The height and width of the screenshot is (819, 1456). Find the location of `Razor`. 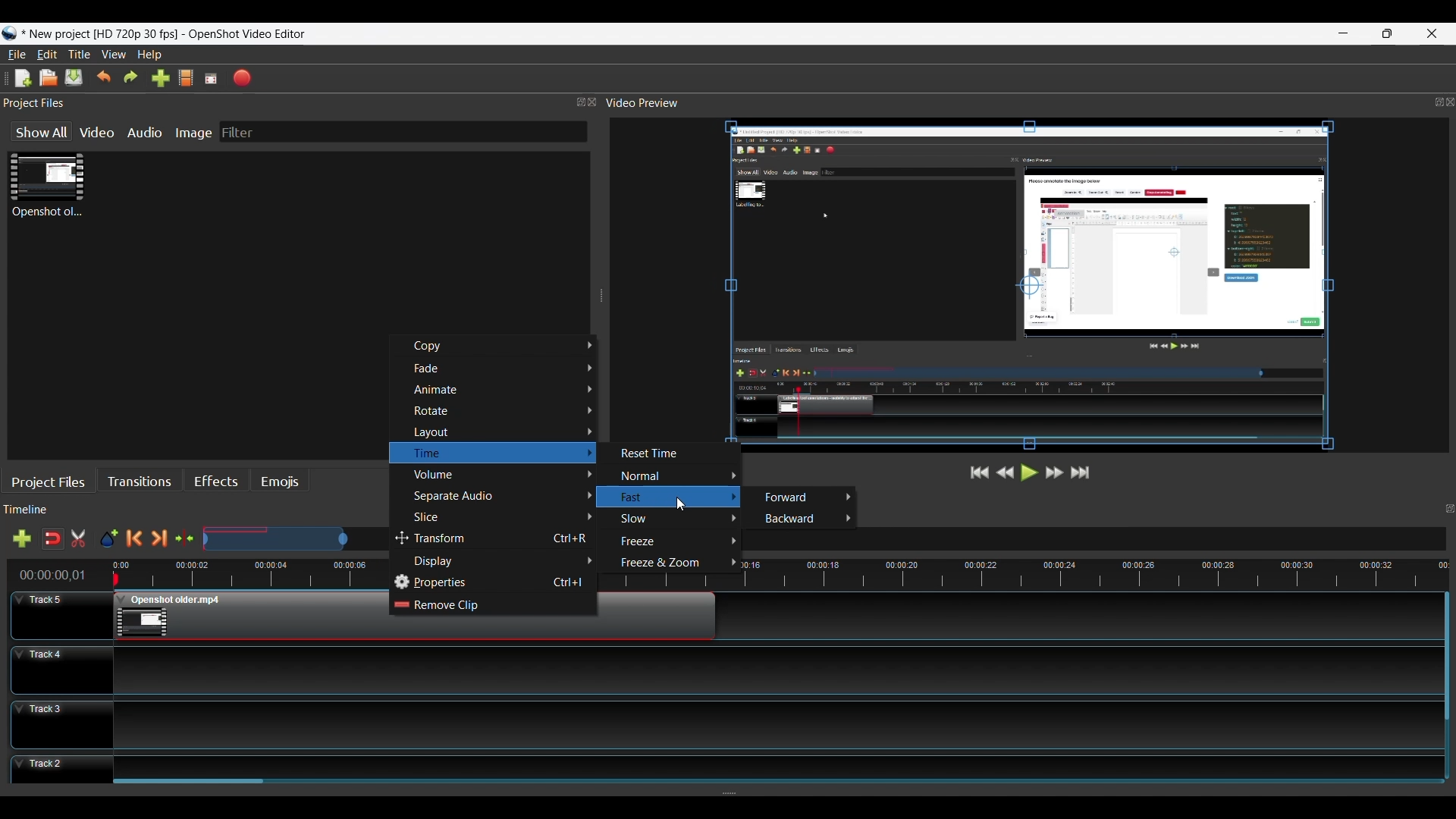

Razor is located at coordinates (80, 540).